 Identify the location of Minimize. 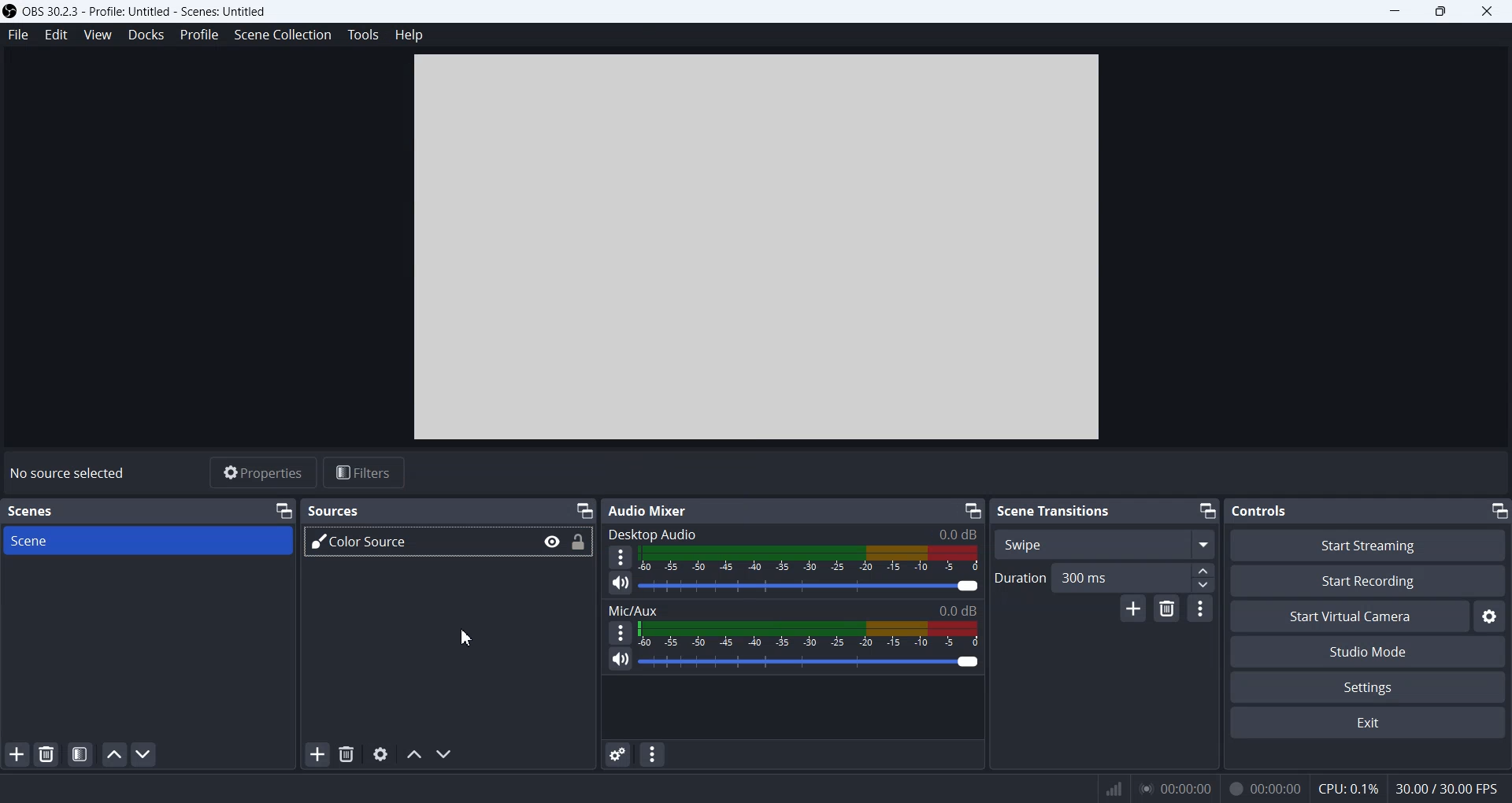
(972, 509).